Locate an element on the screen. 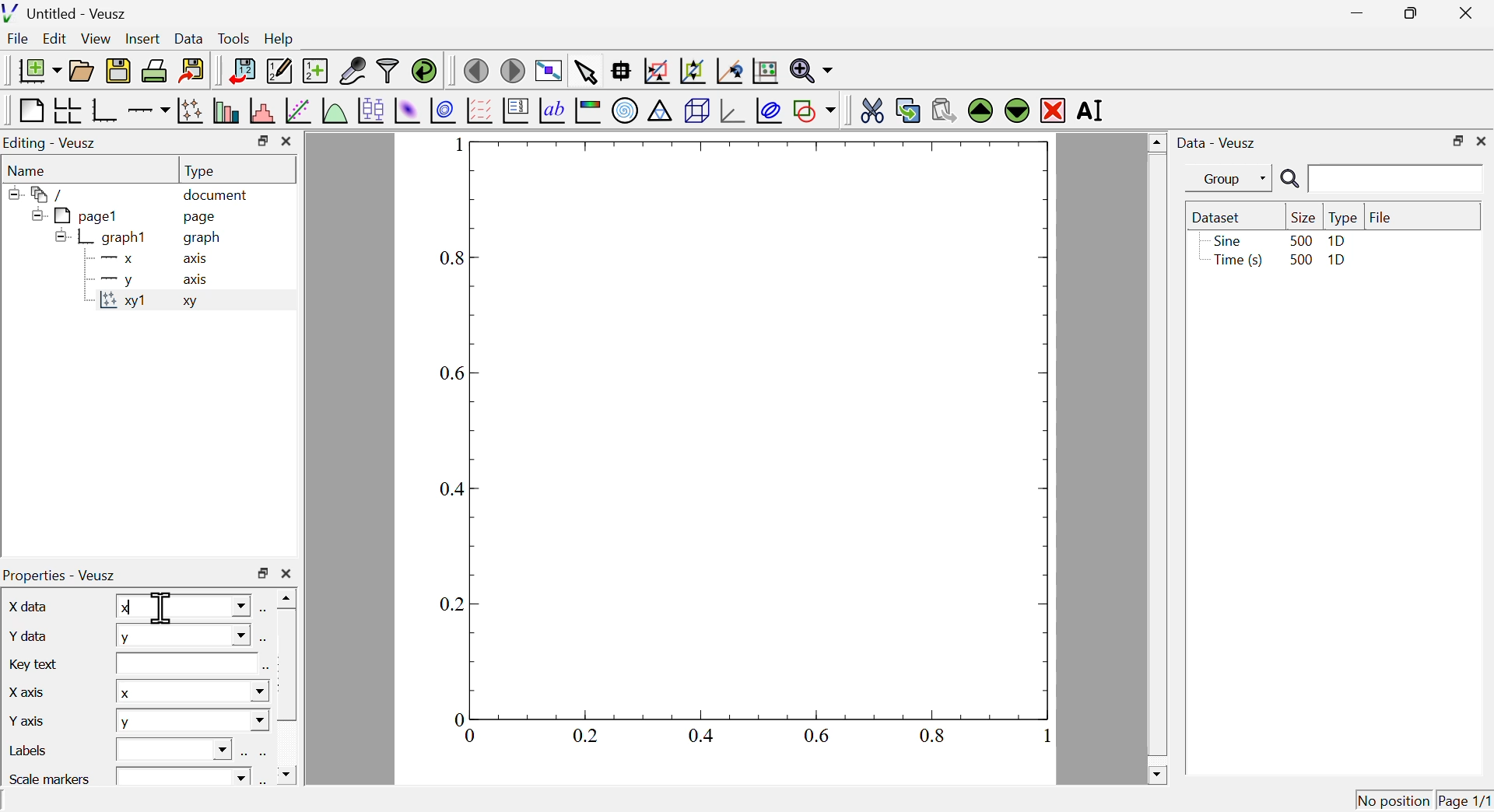  500 is located at coordinates (1299, 261).